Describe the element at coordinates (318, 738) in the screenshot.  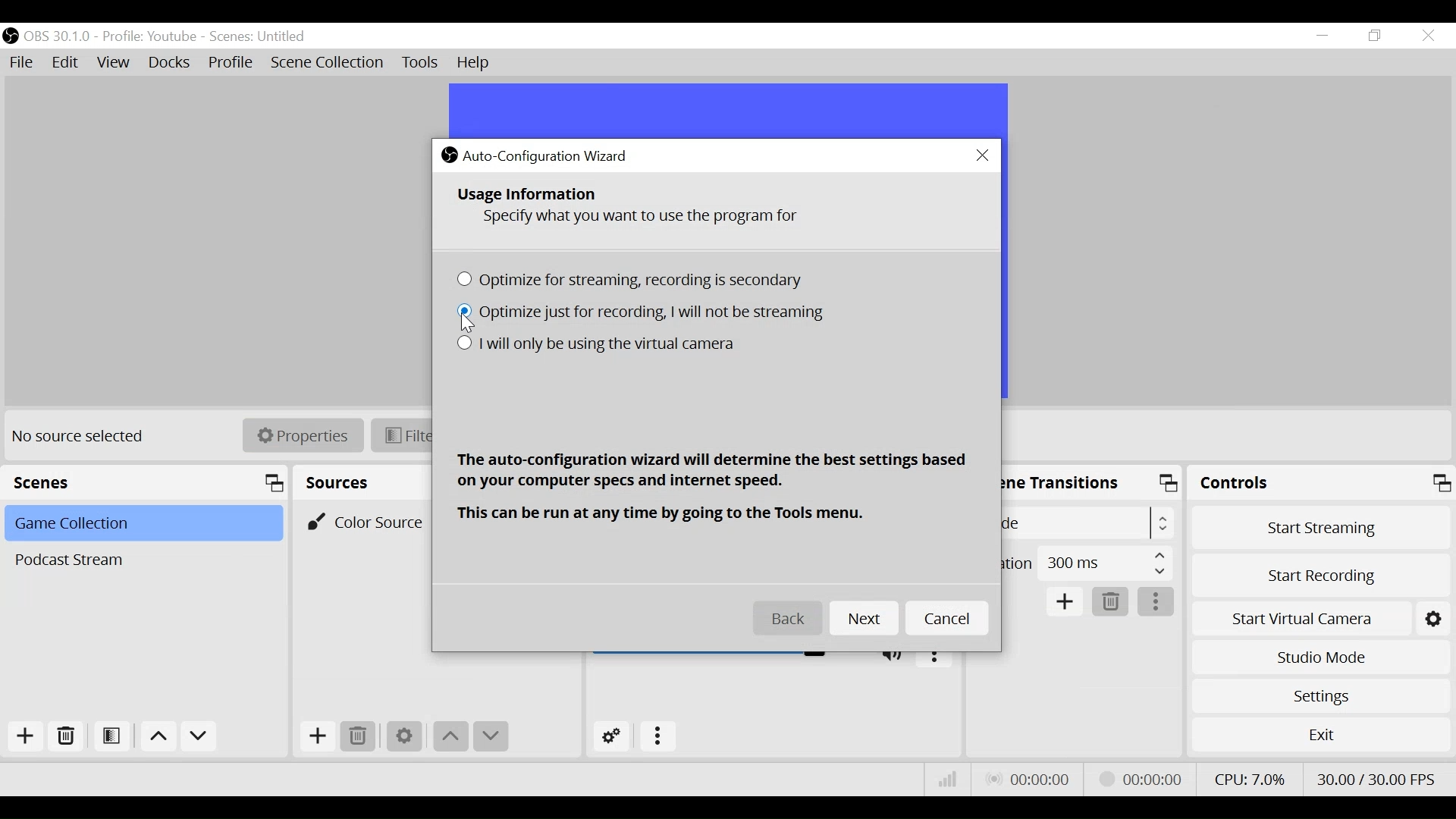
I see `Add ` at that location.